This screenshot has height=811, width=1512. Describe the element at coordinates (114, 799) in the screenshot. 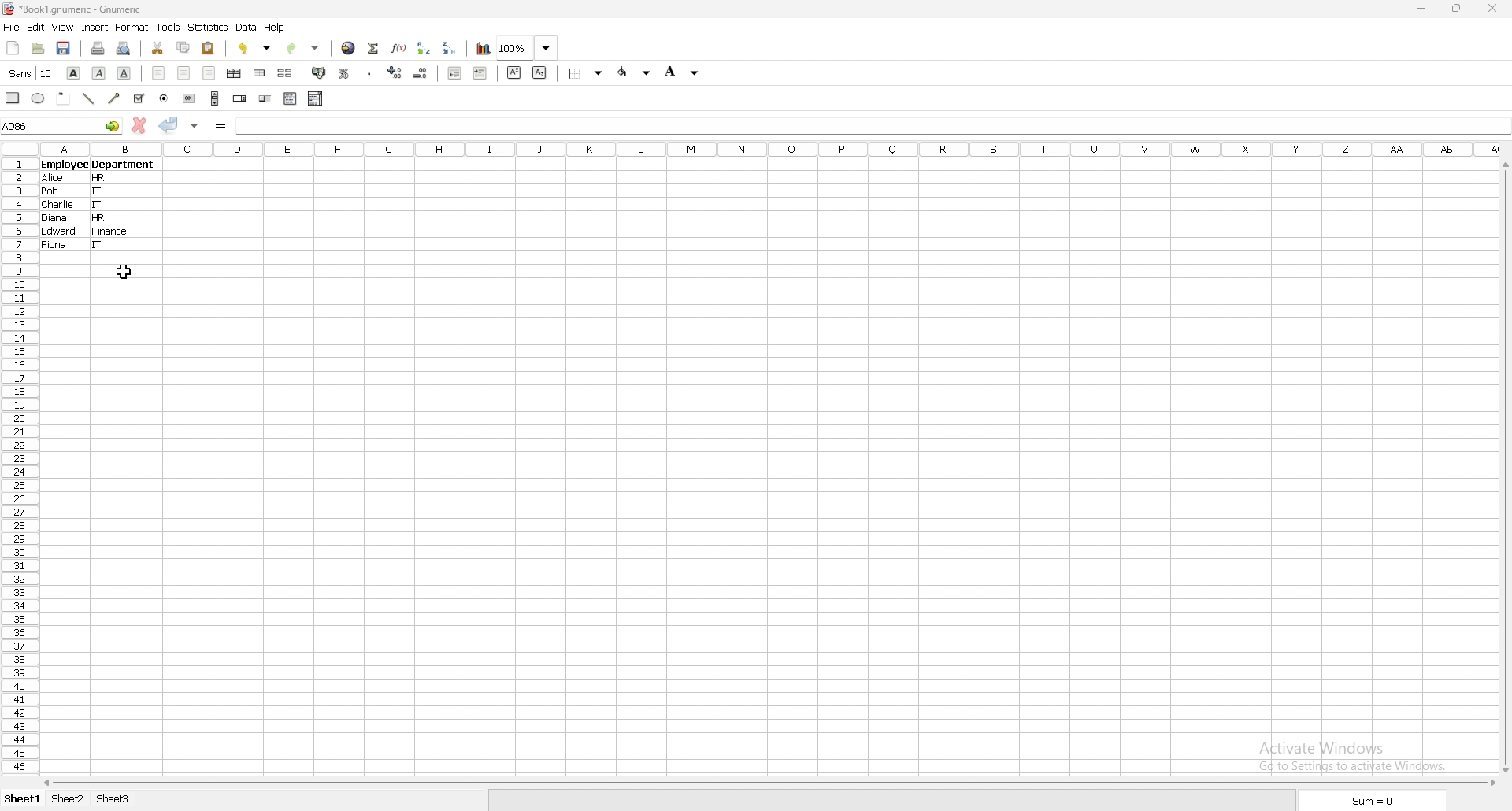

I see `sheet 3` at that location.